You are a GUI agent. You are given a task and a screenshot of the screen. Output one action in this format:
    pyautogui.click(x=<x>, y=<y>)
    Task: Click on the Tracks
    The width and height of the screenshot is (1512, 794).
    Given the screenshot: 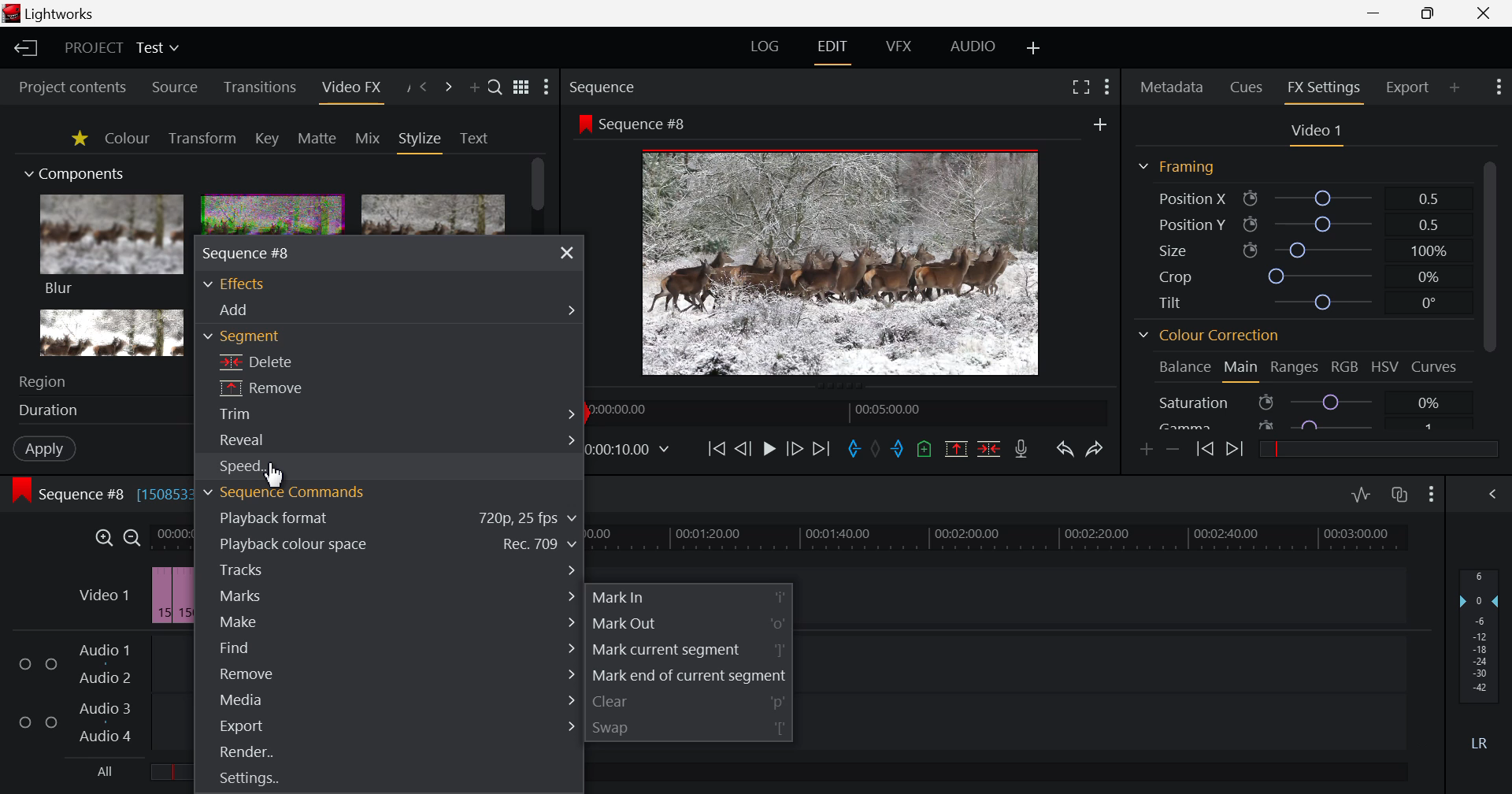 What is the action you would take?
    pyautogui.click(x=391, y=569)
    